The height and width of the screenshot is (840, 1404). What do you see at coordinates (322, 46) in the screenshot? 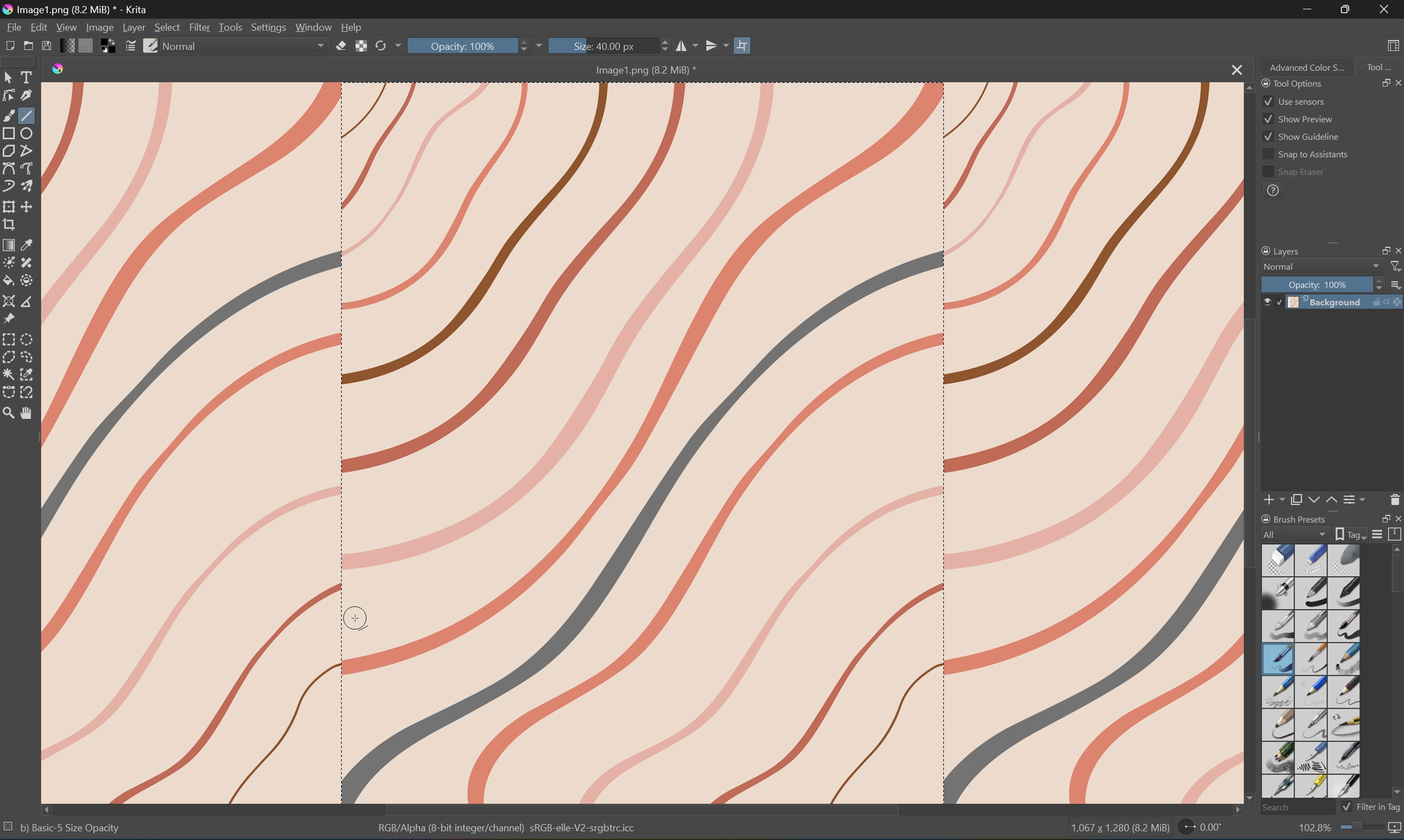
I see `Drop Down` at bounding box center [322, 46].